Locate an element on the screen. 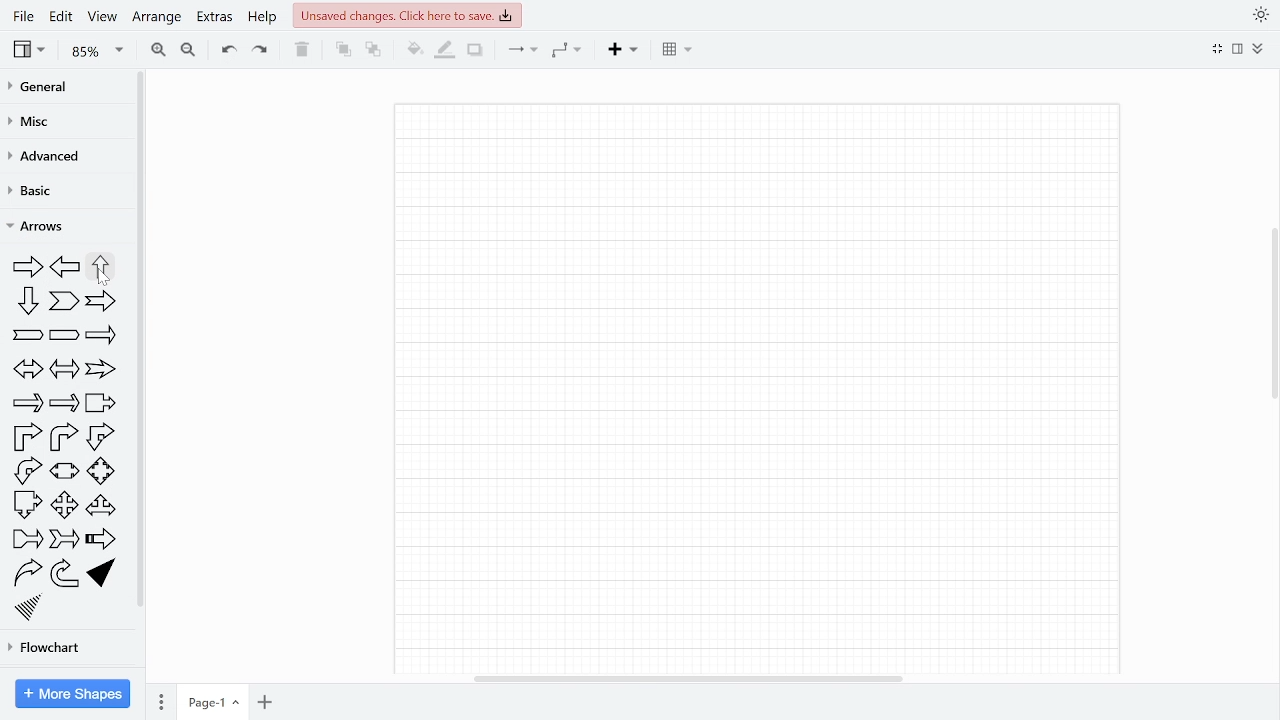 Image resolution: width=1280 pixels, height=720 pixels. Zoom out is located at coordinates (188, 50).